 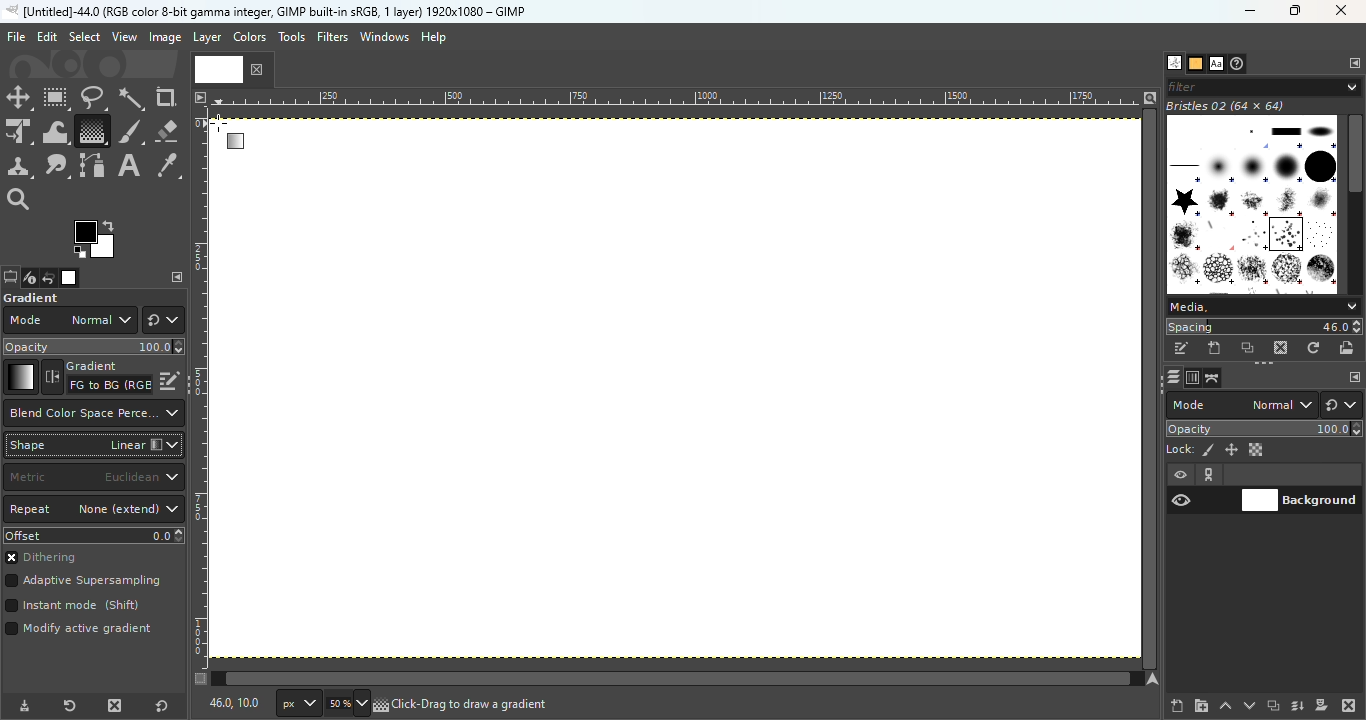 What do you see at coordinates (1343, 12) in the screenshot?
I see `Close` at bounding box center [1343, 12].